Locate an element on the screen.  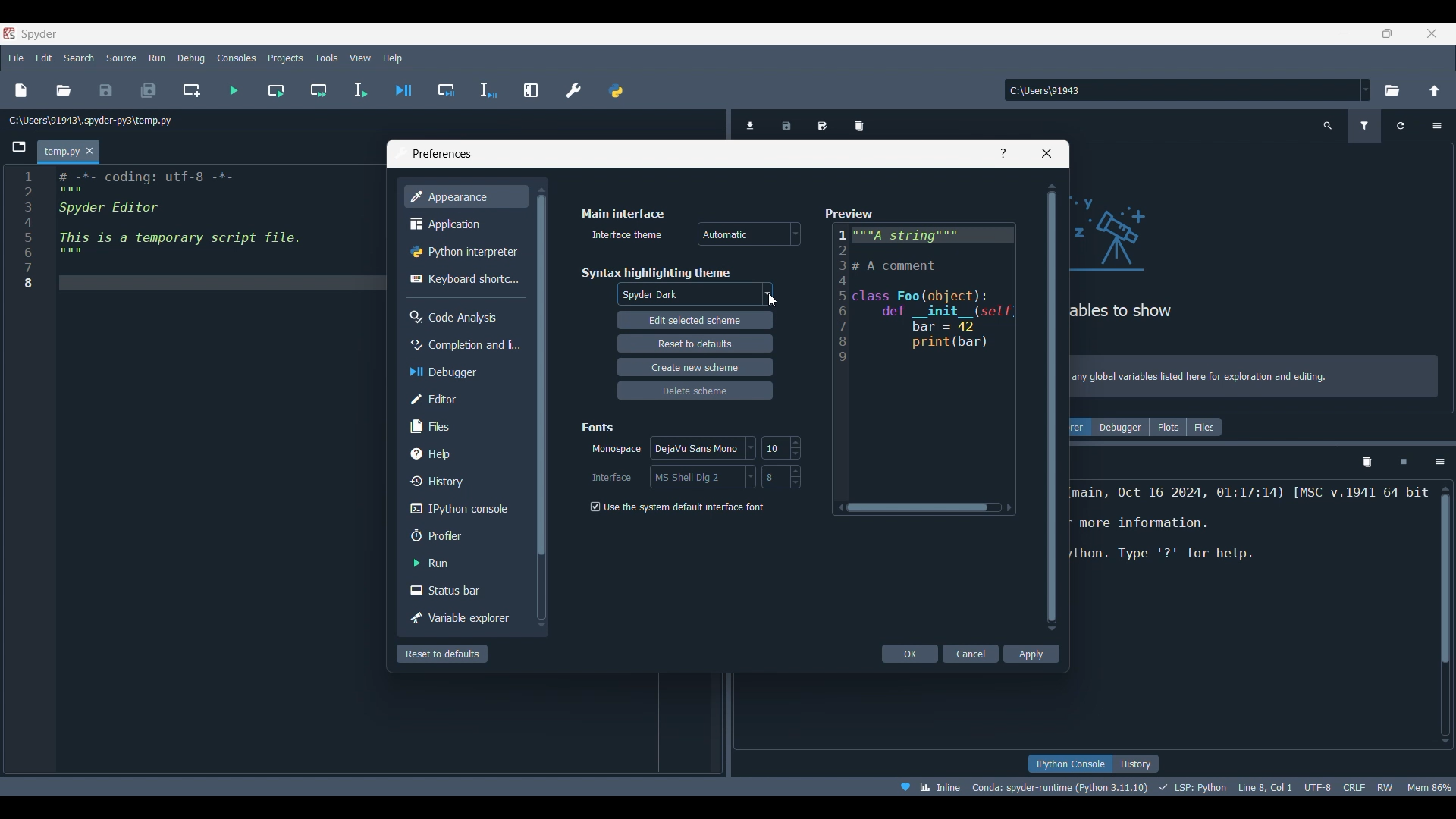
programming language is located at coordinates (1195, 786).